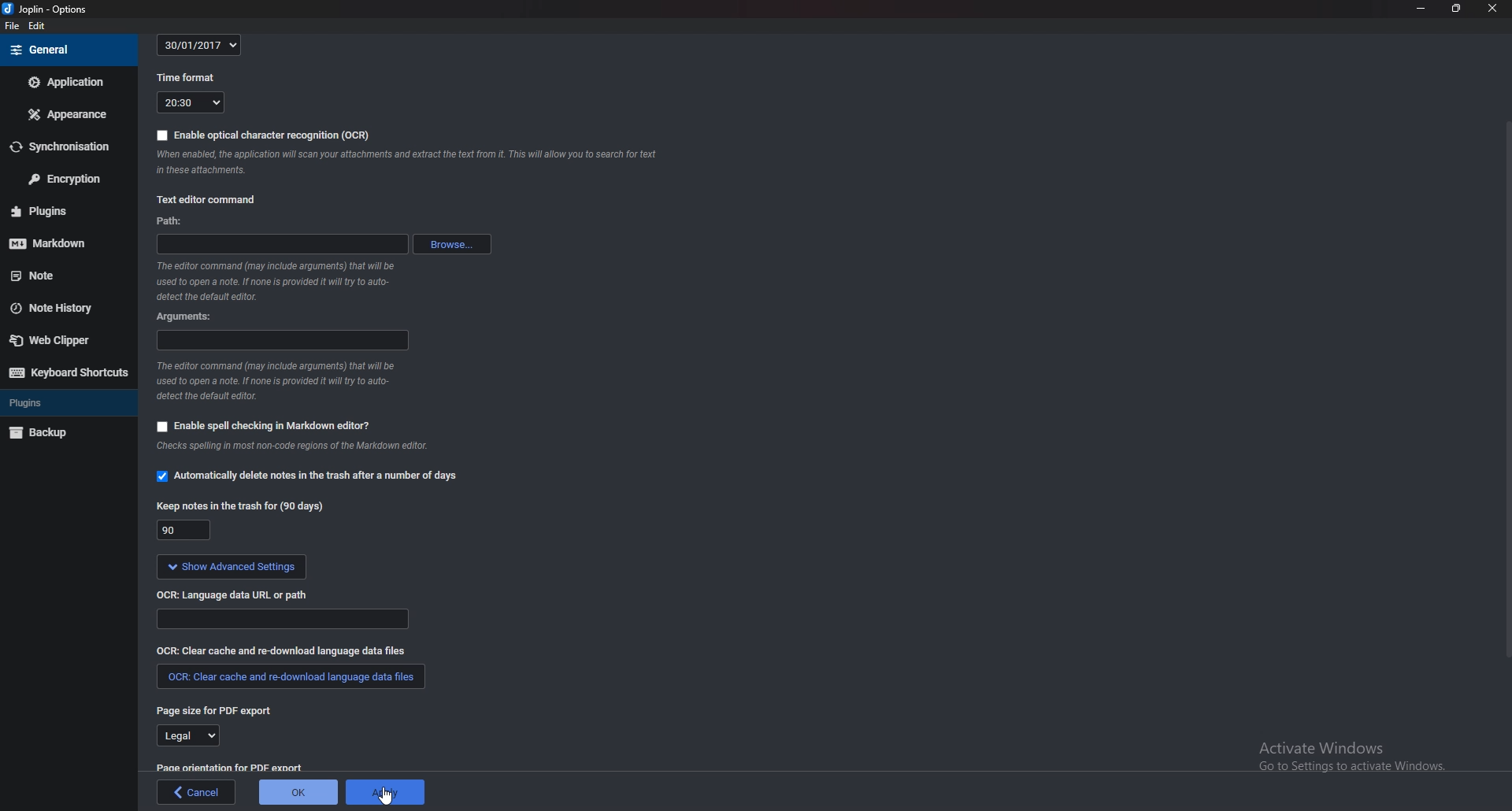 Image resolution: width=1512 pixels, height=811 pixels. What do you see at coordinates (66, 402) in the screenshot?
I see `Plugins` at bounding box center [66, 402].